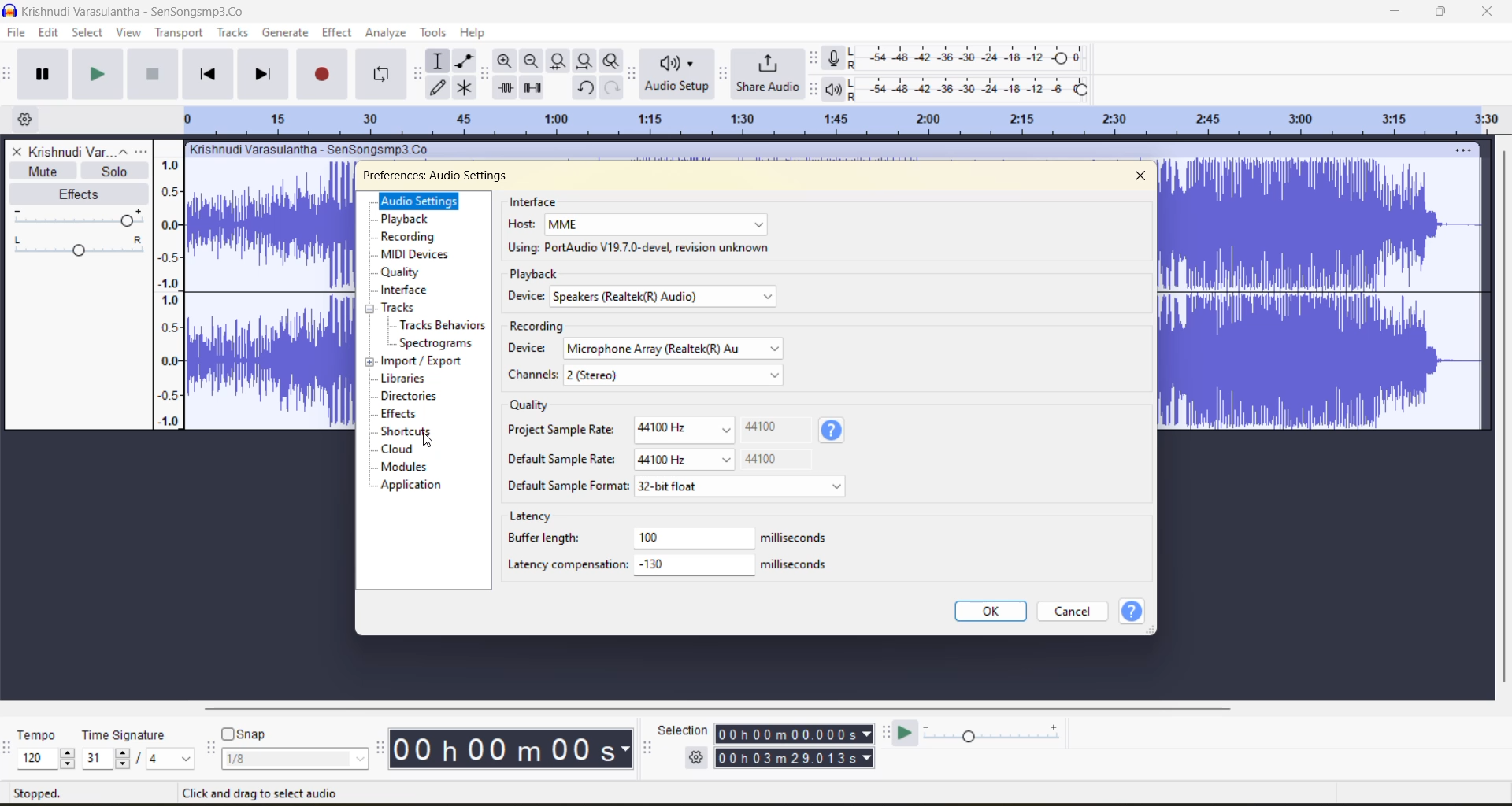 The height and width of the screenshot is (806, 1512). What do you see at coordinates (636, 227) in the screenshot?
I see `host` at bounding box center [636, 227].